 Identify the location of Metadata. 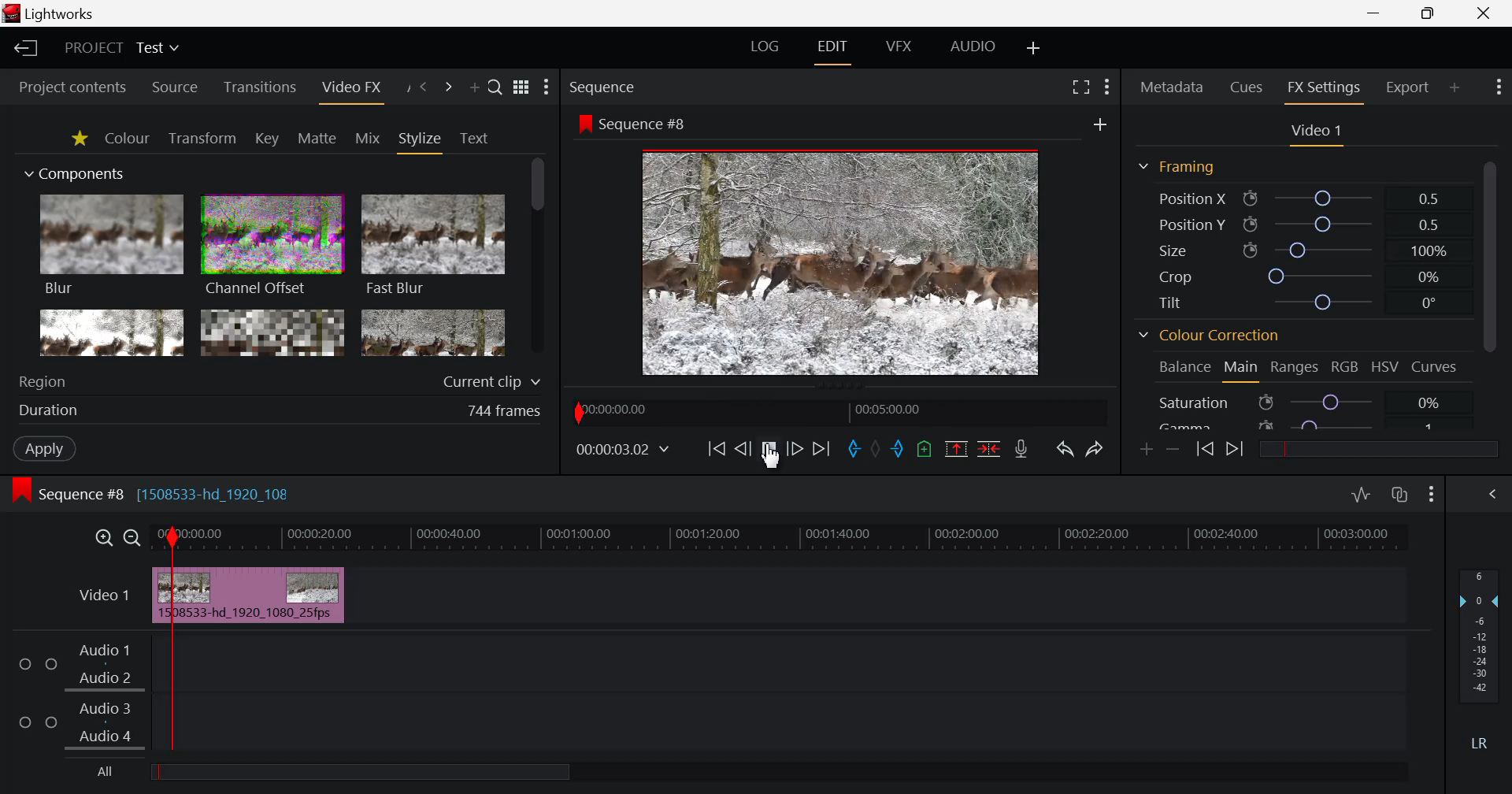
(1170, 88).